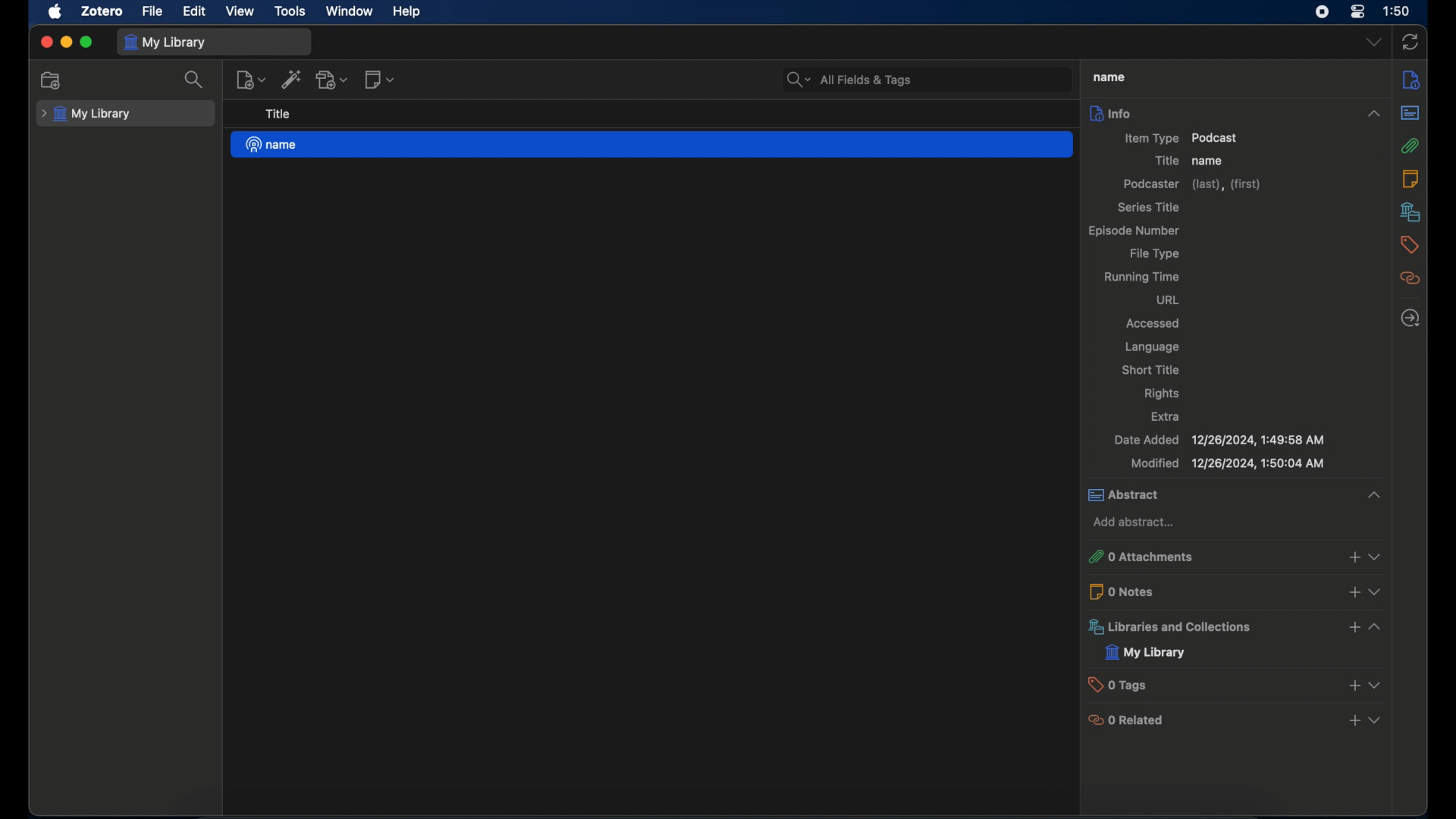 Image resolution: width=1456 pixels, height=819 pixels. Describe the element at coordinates (379, 80) in the screenshot. I see `new note` at that location.